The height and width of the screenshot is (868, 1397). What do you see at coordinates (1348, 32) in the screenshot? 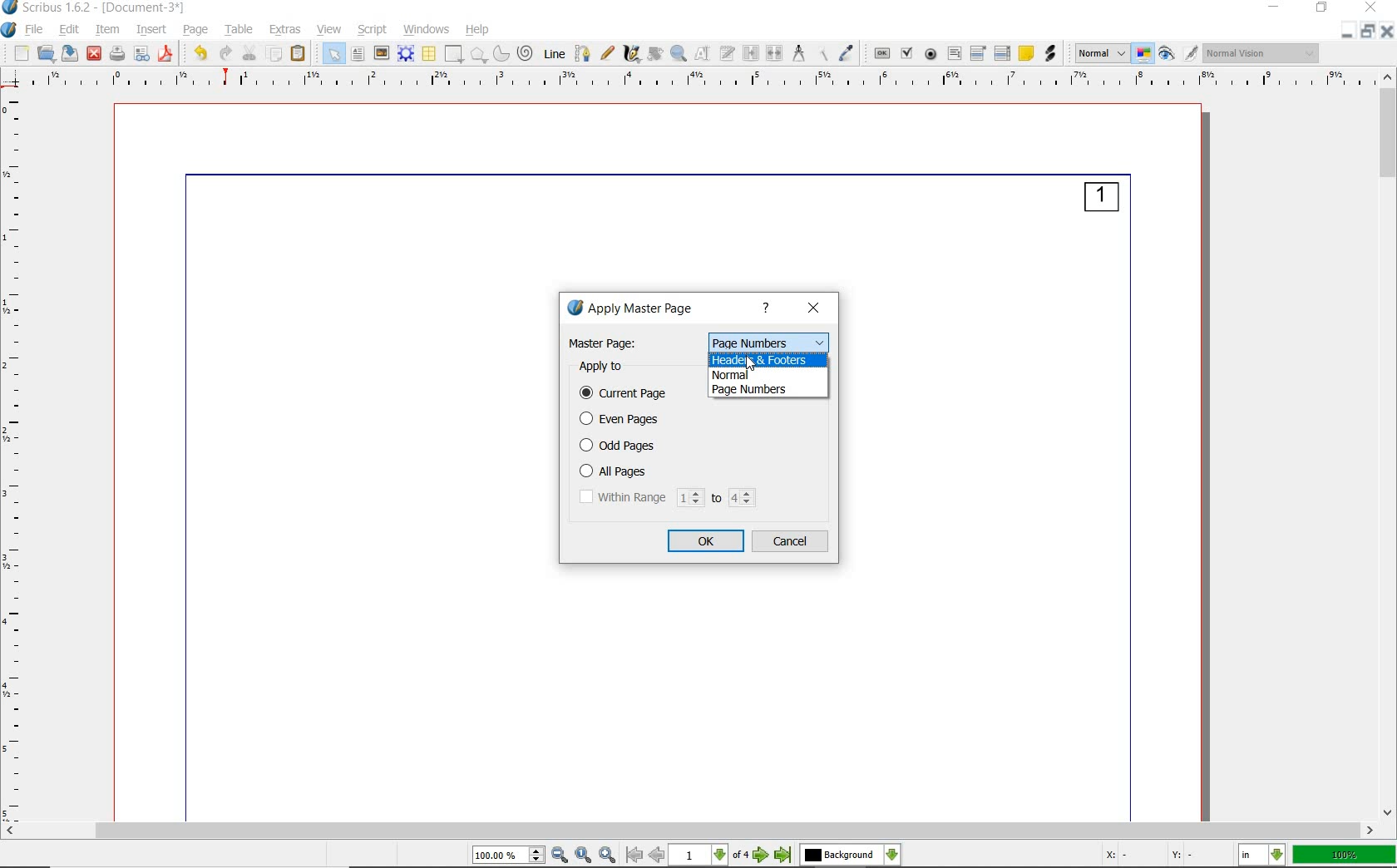
I see `Minimize` at bounding box center [1348, 32].